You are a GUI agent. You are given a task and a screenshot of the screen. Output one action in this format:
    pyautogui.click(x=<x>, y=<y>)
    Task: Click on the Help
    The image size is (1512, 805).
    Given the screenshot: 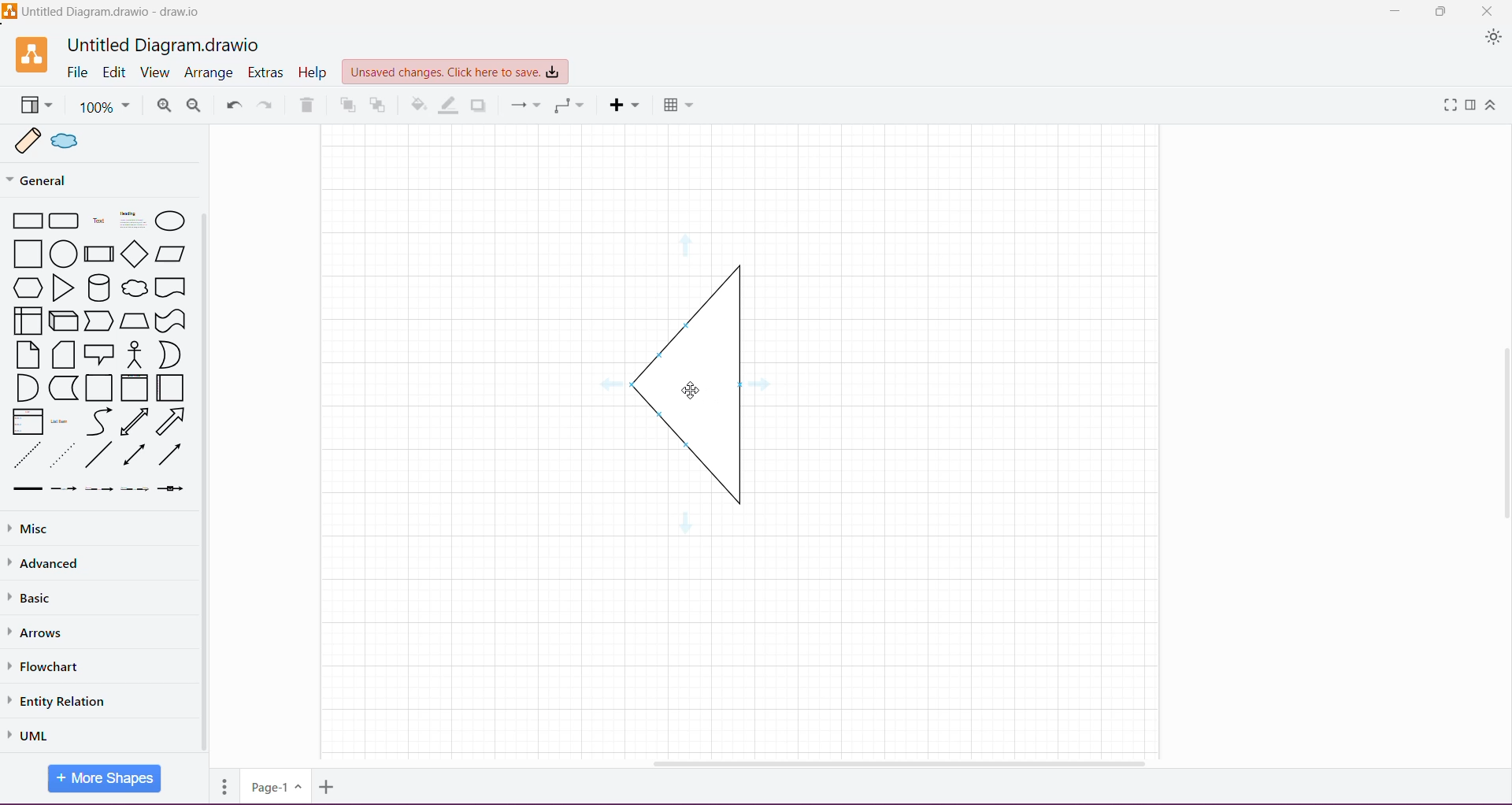 What is the action you would take?
    pyautogui.click(x=310, y=72)
    